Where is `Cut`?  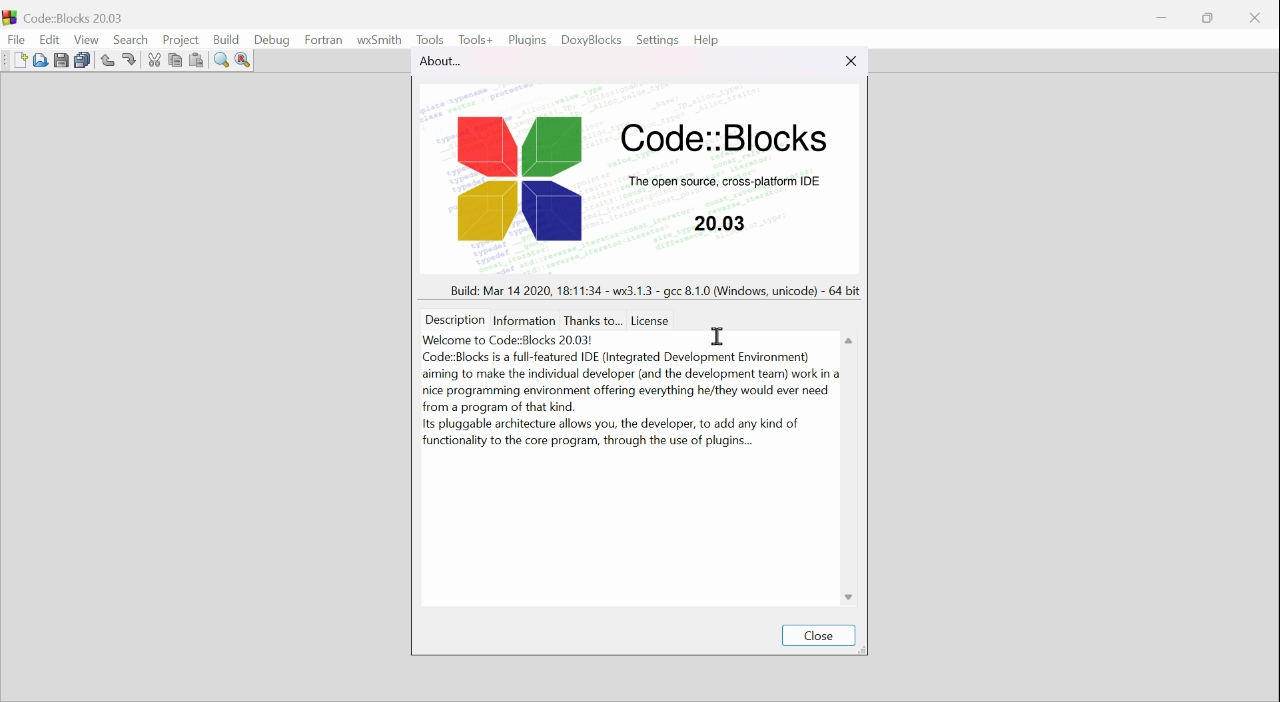 Cut is located at coordinates (152, 60).